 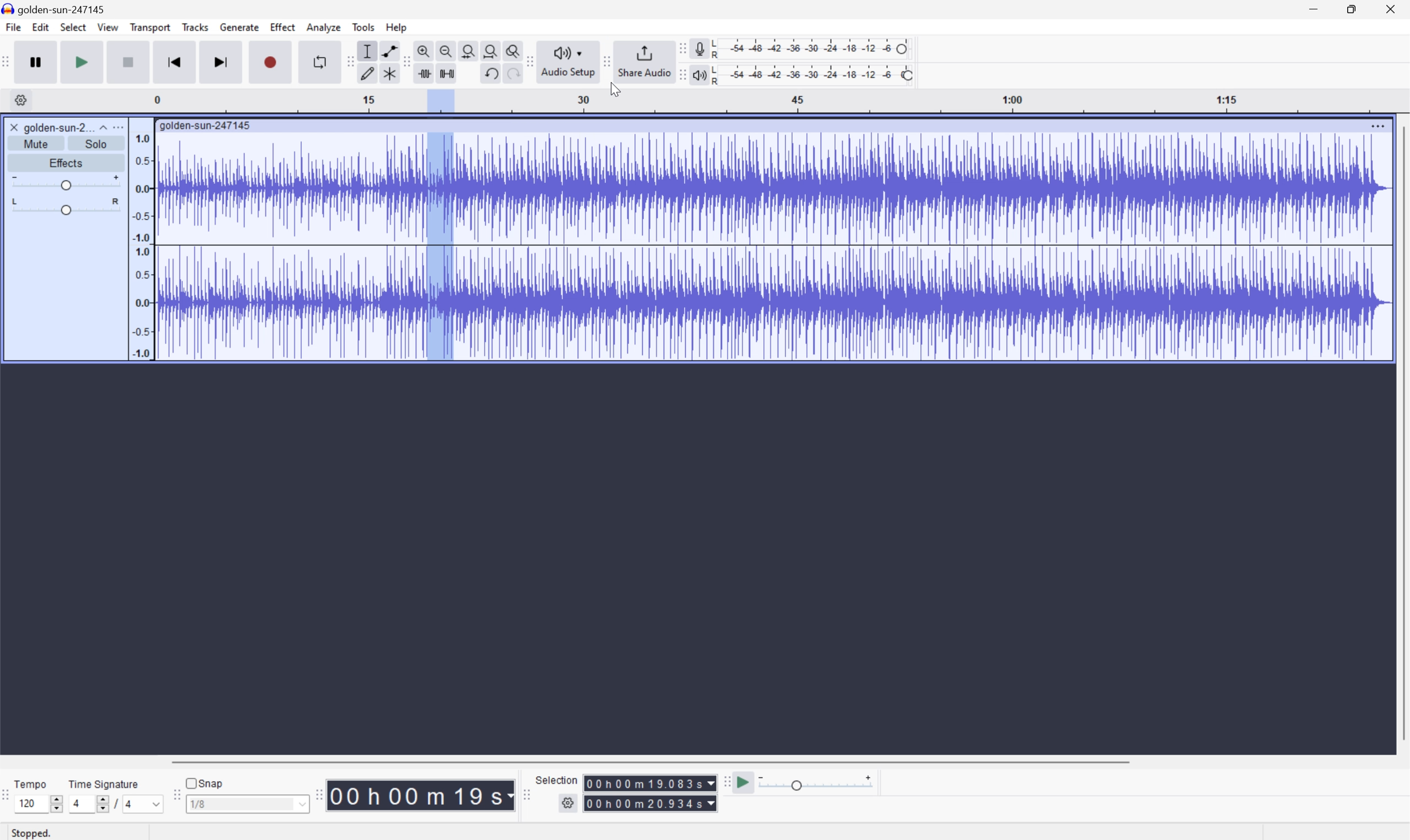 I want to click on Frequencies, so click(x=141, y=246).